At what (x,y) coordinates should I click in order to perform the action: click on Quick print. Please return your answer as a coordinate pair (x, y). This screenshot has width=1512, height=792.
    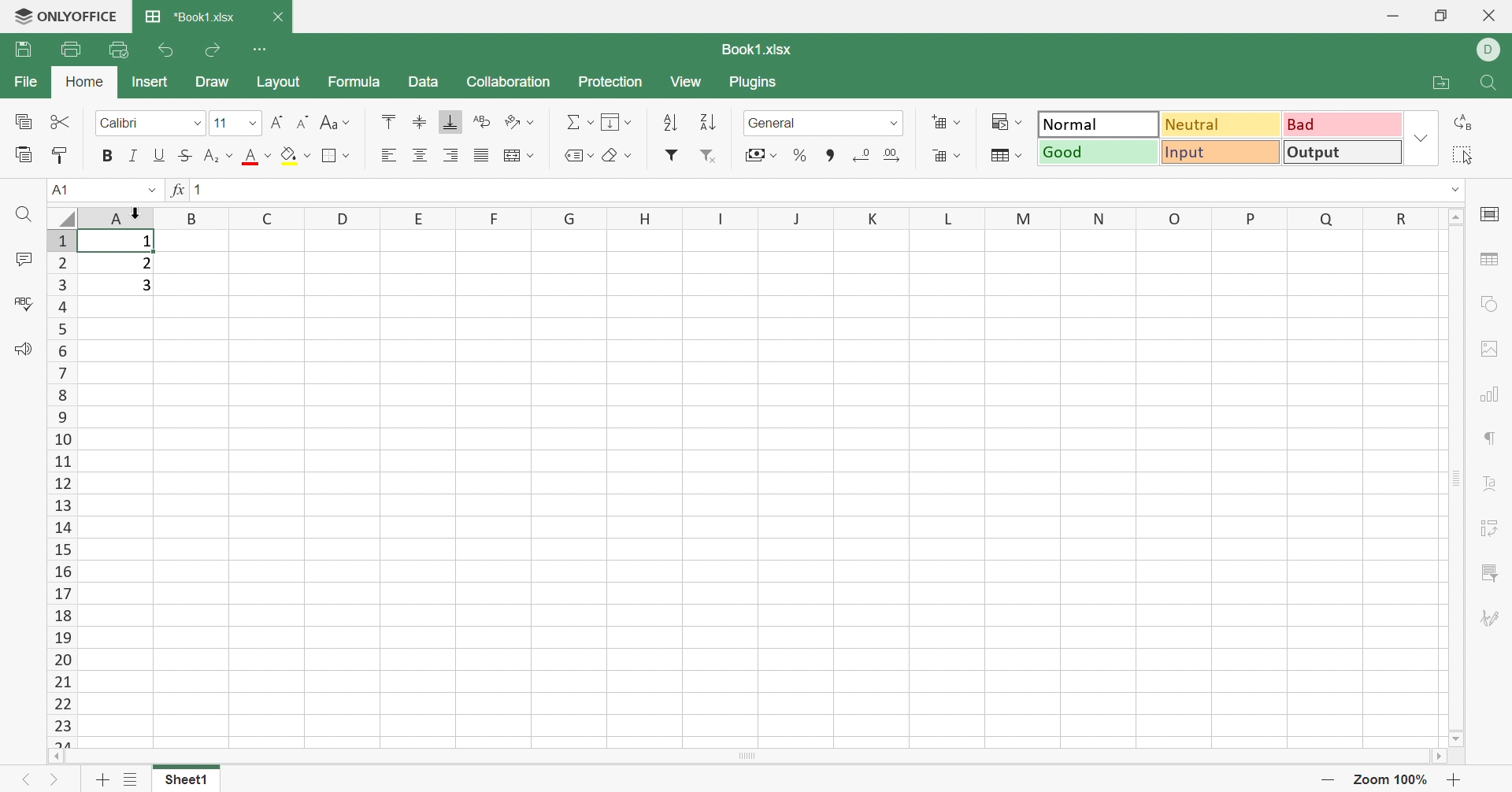
    Looking at the image, I should click on (121, 50).